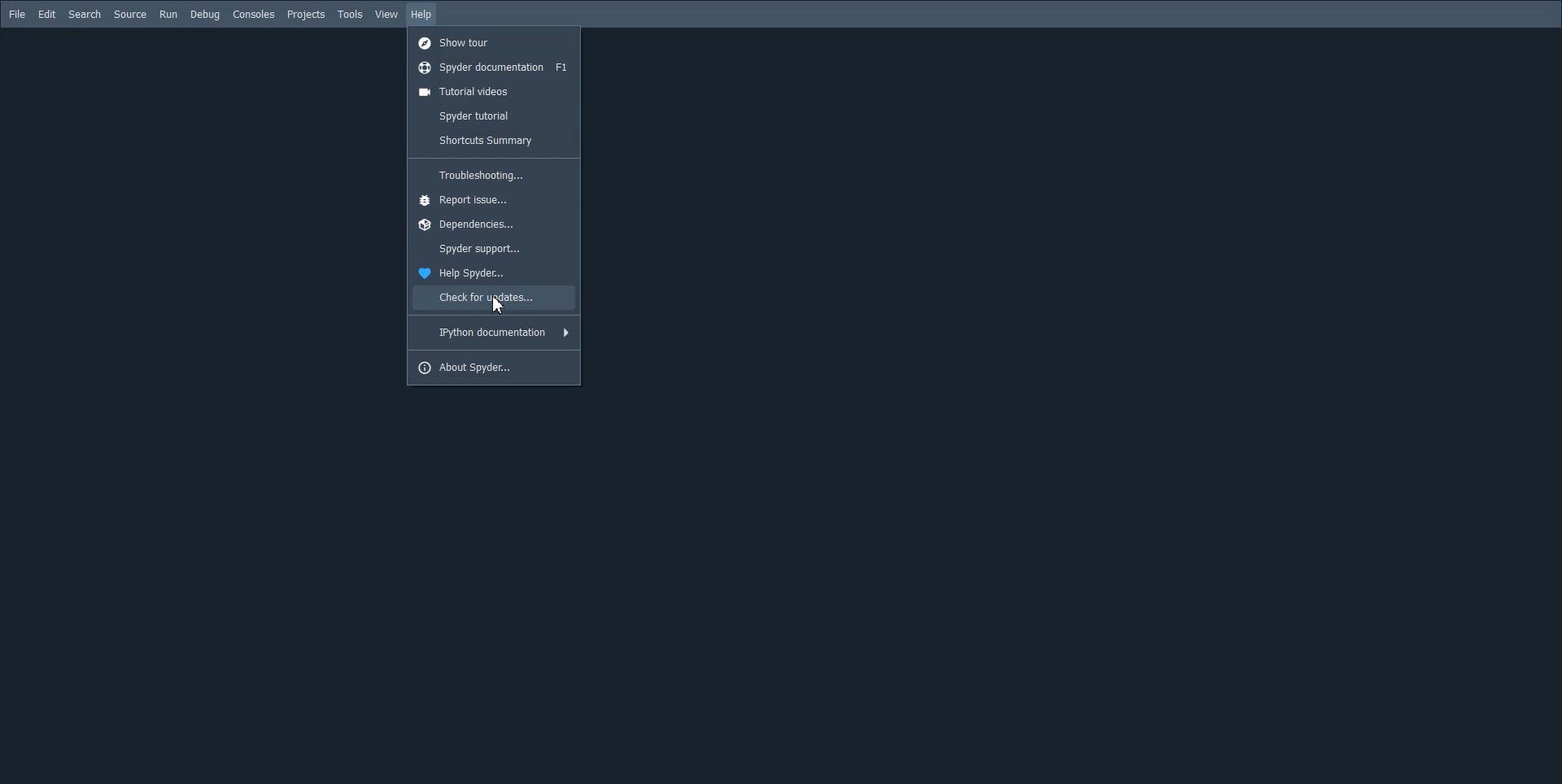 This screenshot has width=1562, height=784. Describe the element at coordinates (494, 173) in the screenshot. I see `Troubleshooting` at that location.